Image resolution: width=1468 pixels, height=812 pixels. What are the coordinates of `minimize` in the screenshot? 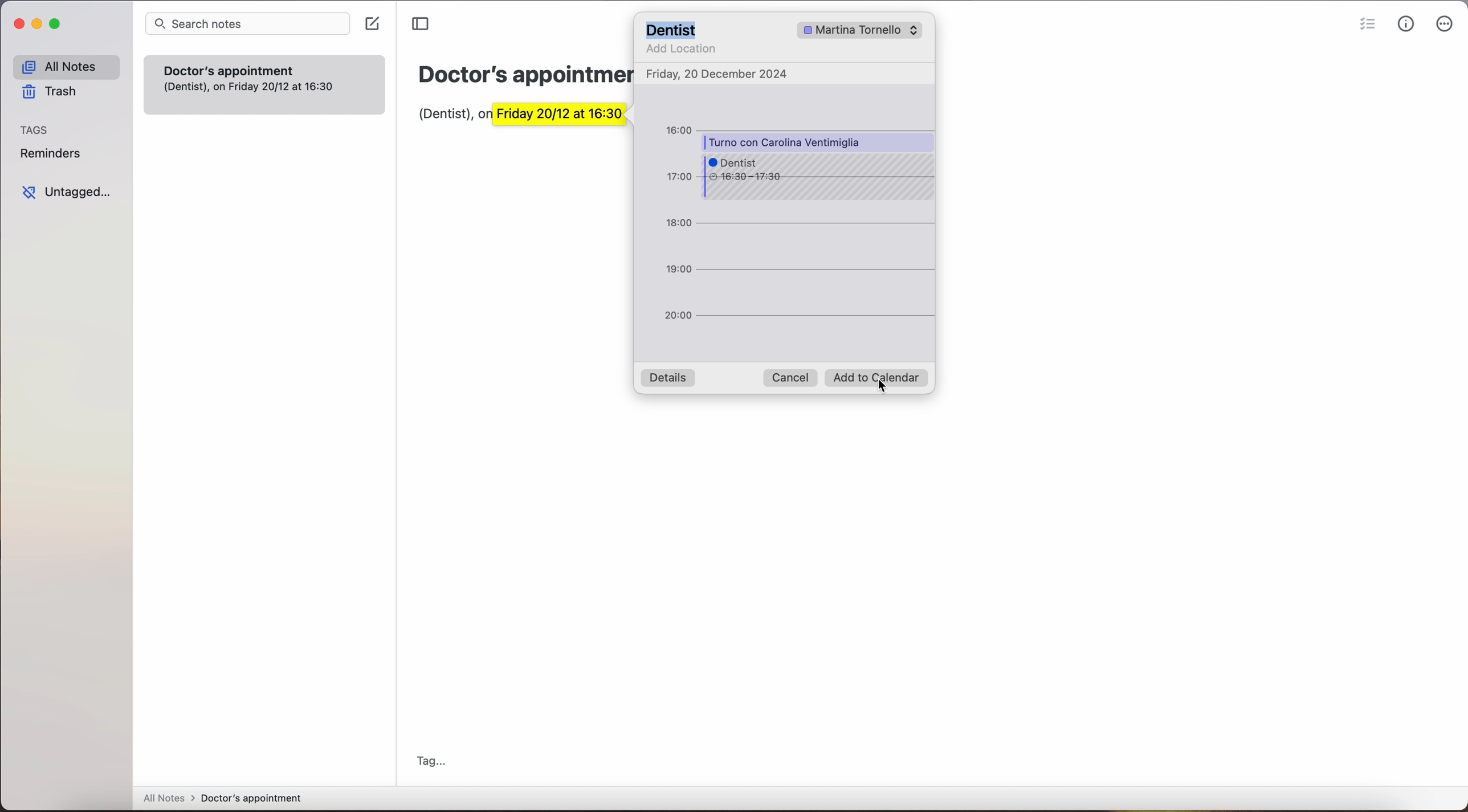 It's located at (38, 26).